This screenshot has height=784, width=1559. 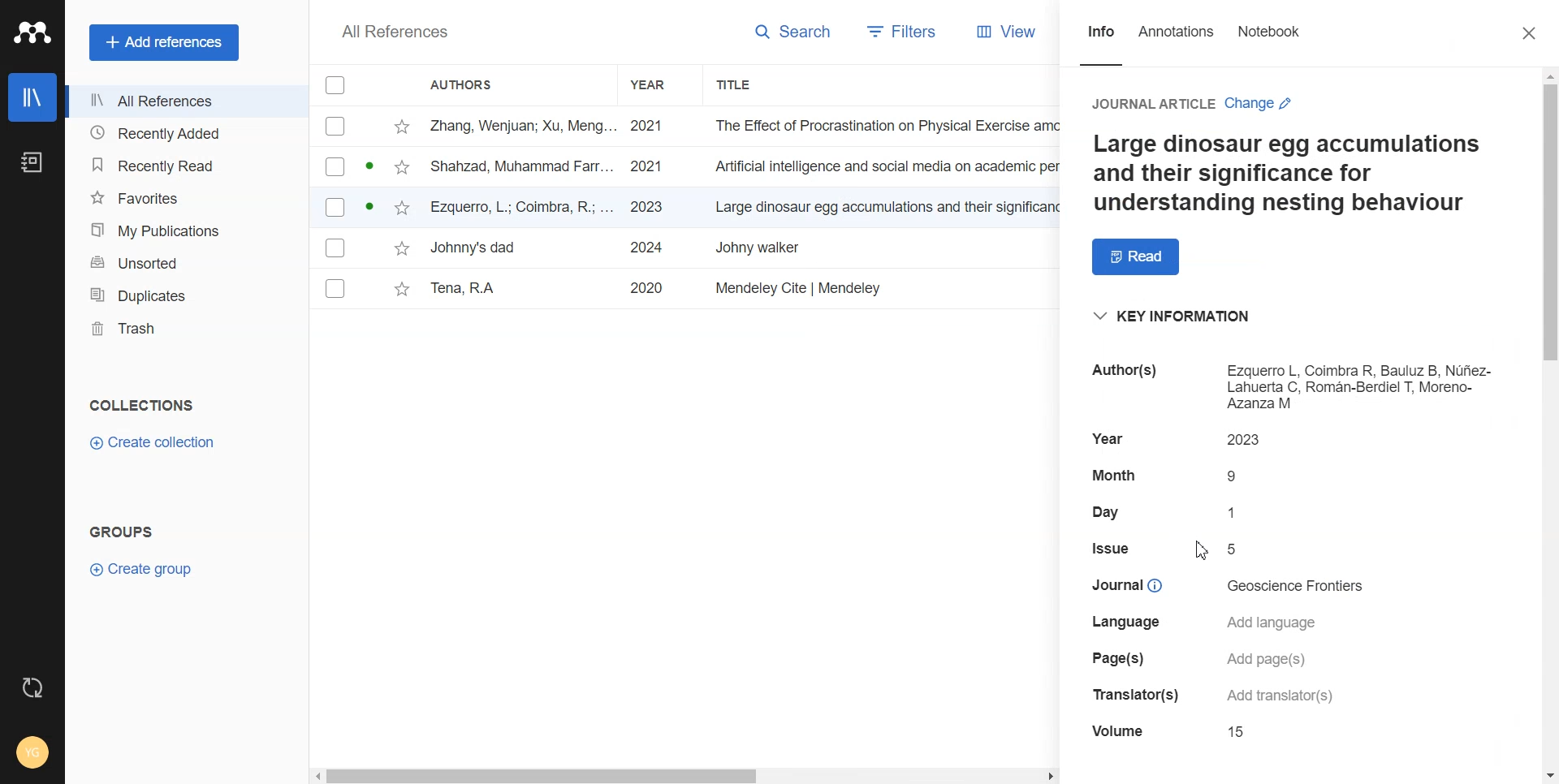 What do you see at coordinates (403, 167) in the screenshot?
I see `star` at bounding box center [403, 167].